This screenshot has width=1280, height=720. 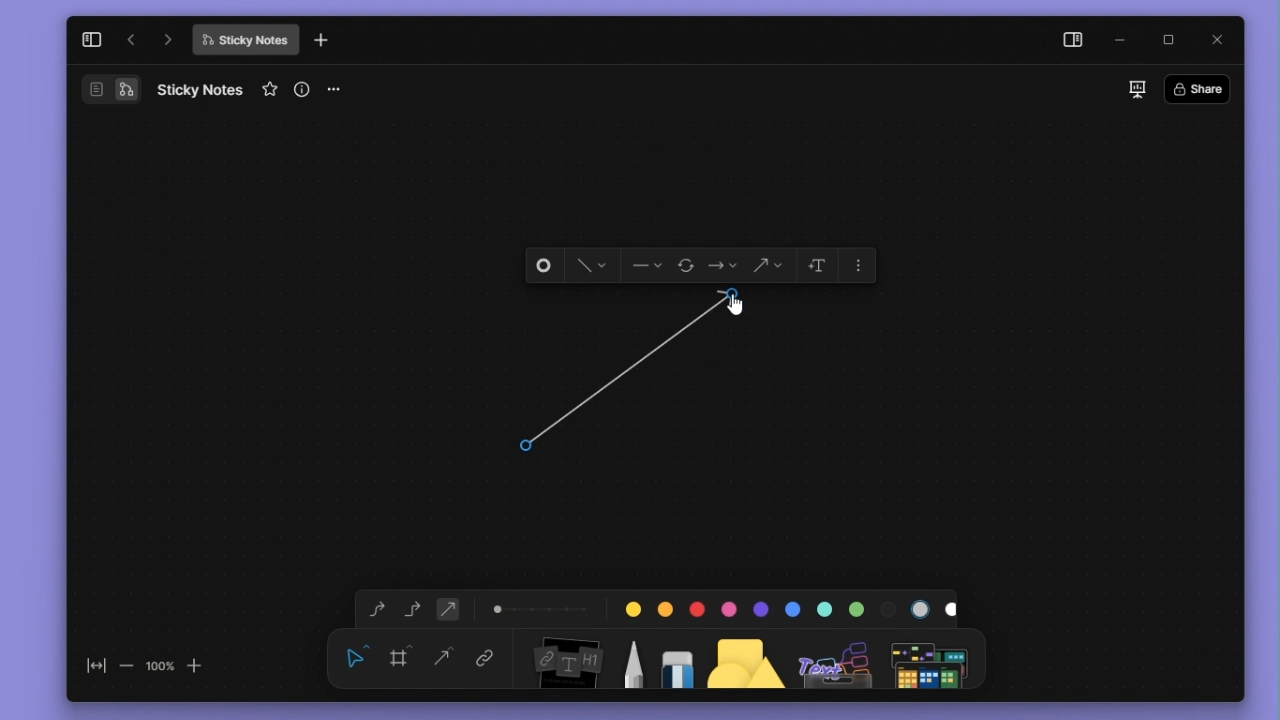 What do you see at coordinates (1175, 41) in the screenshot?
I see `maximize` at bounding box center [1175, 41].